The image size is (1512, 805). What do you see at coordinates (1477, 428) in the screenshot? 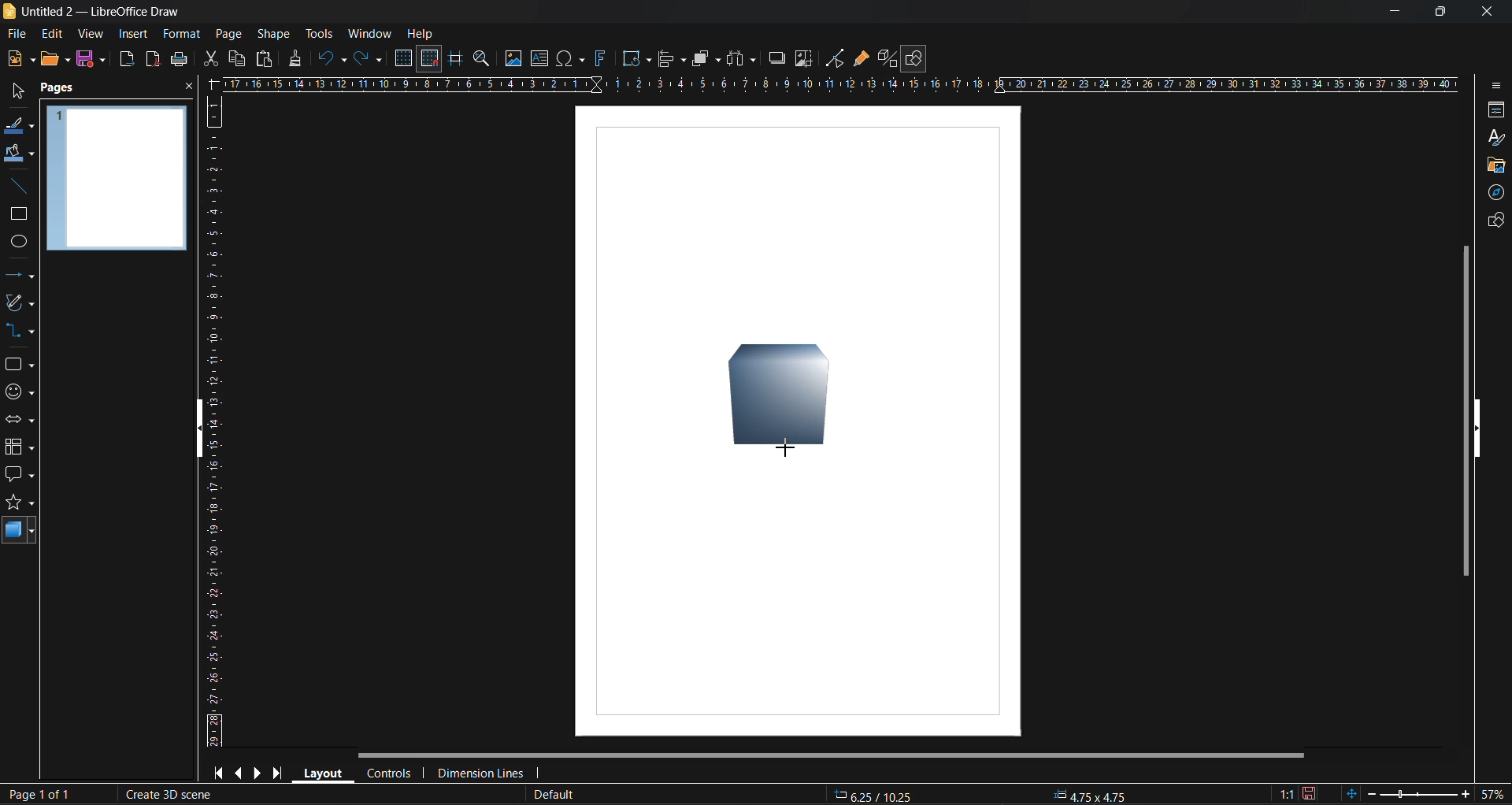
I see `hide` at bounding box center [1477, 428].